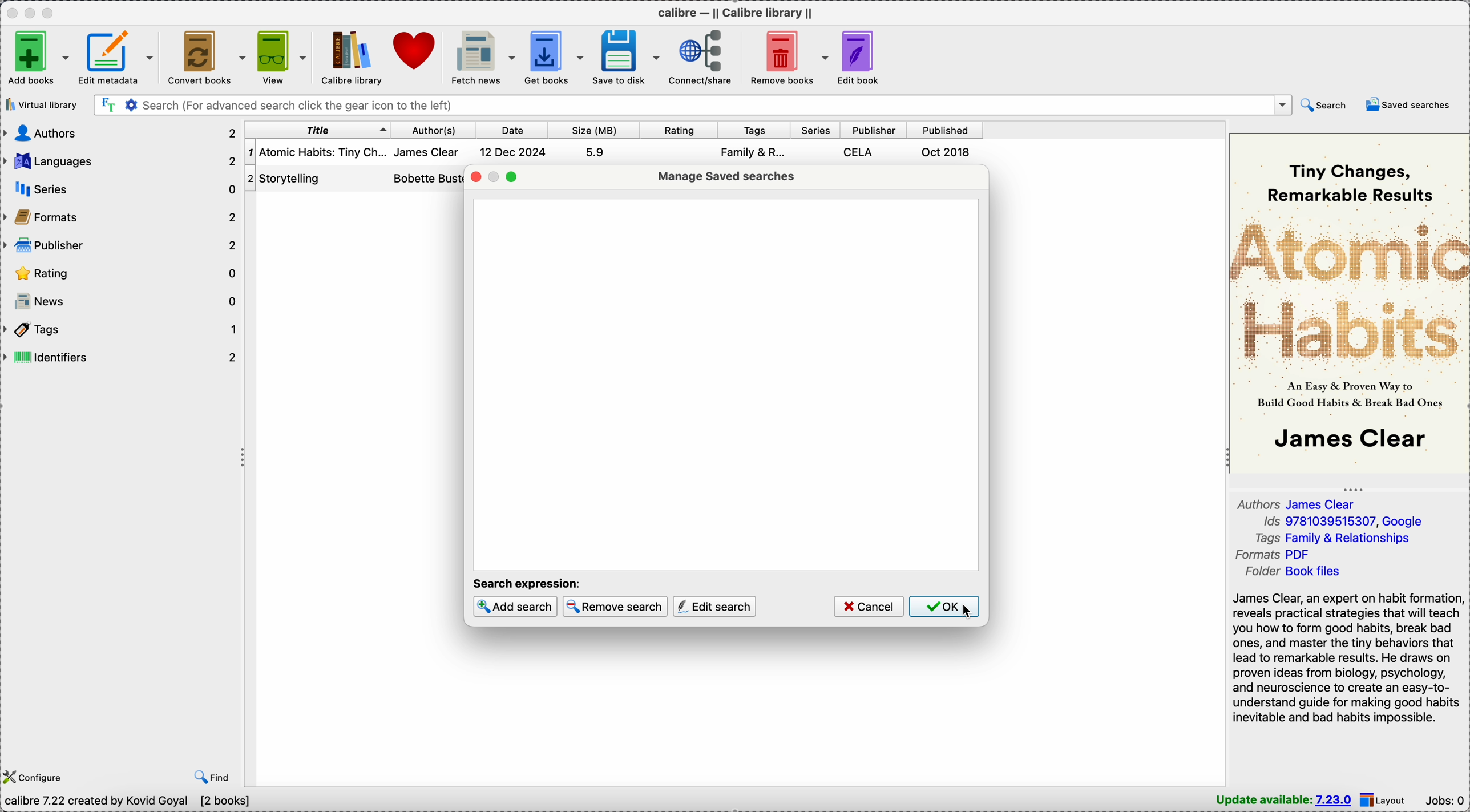 Image resolution: width=1470 pixels, height=812 pixels. I want to click on author(s), so click(429, 130).